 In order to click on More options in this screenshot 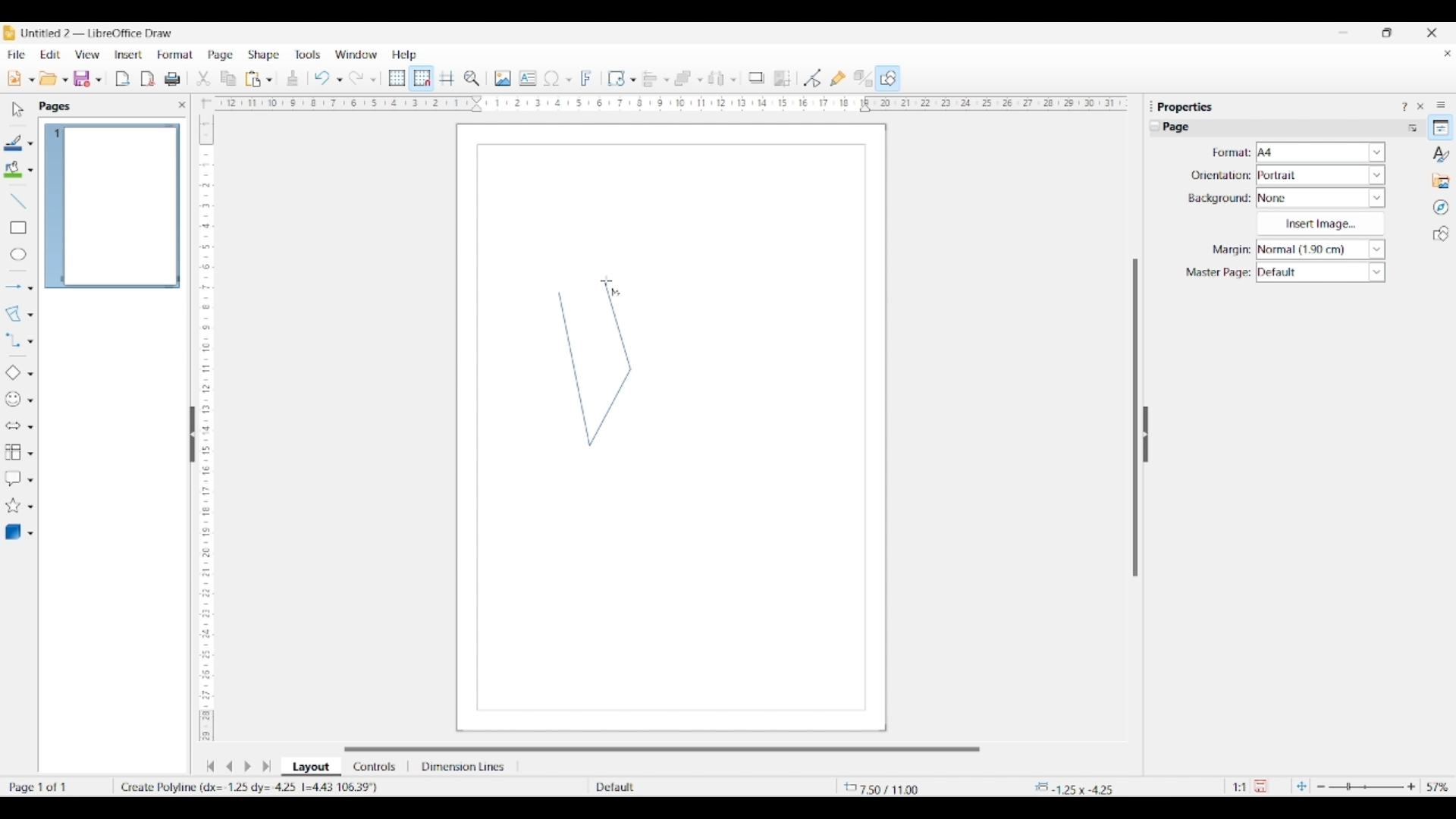, I will do `click(1412, 127)`.